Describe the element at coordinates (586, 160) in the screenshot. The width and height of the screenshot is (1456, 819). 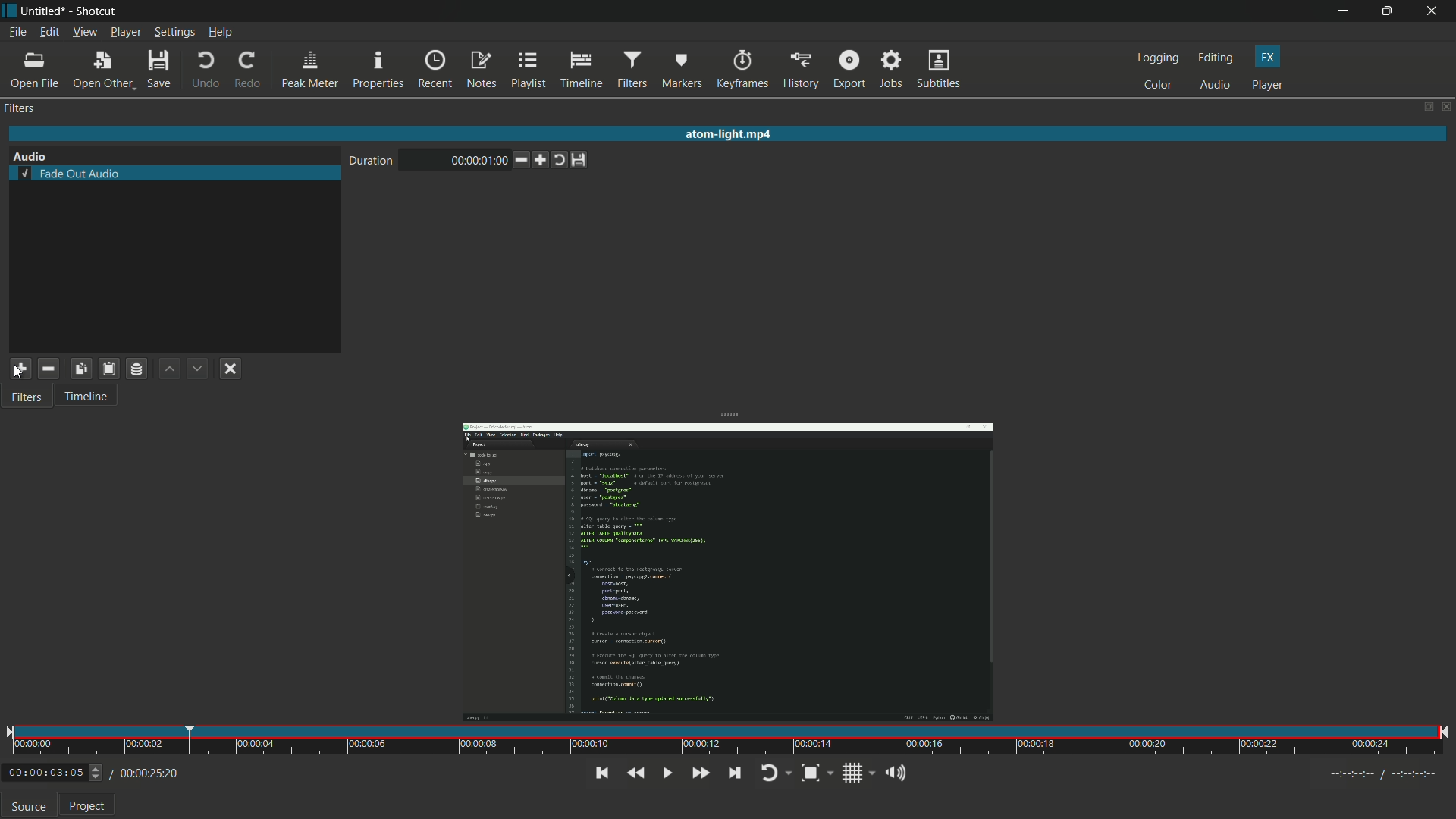
I see `reset to default` at that location.